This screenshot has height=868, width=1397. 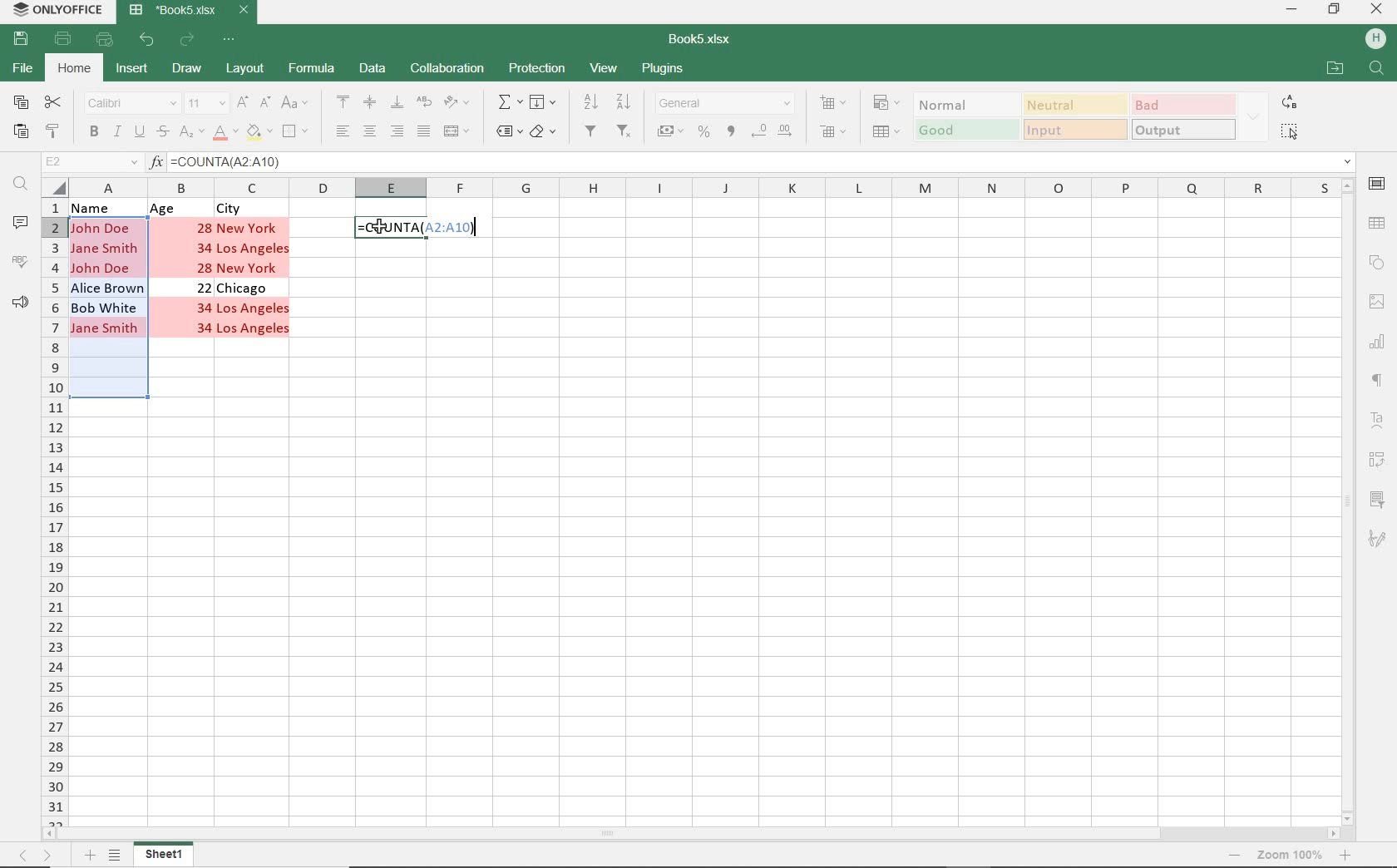 What do you see at coordinates (425, 106) in the screenshot?
I see `WRAP TEXT` at bounding box center [425, 106].